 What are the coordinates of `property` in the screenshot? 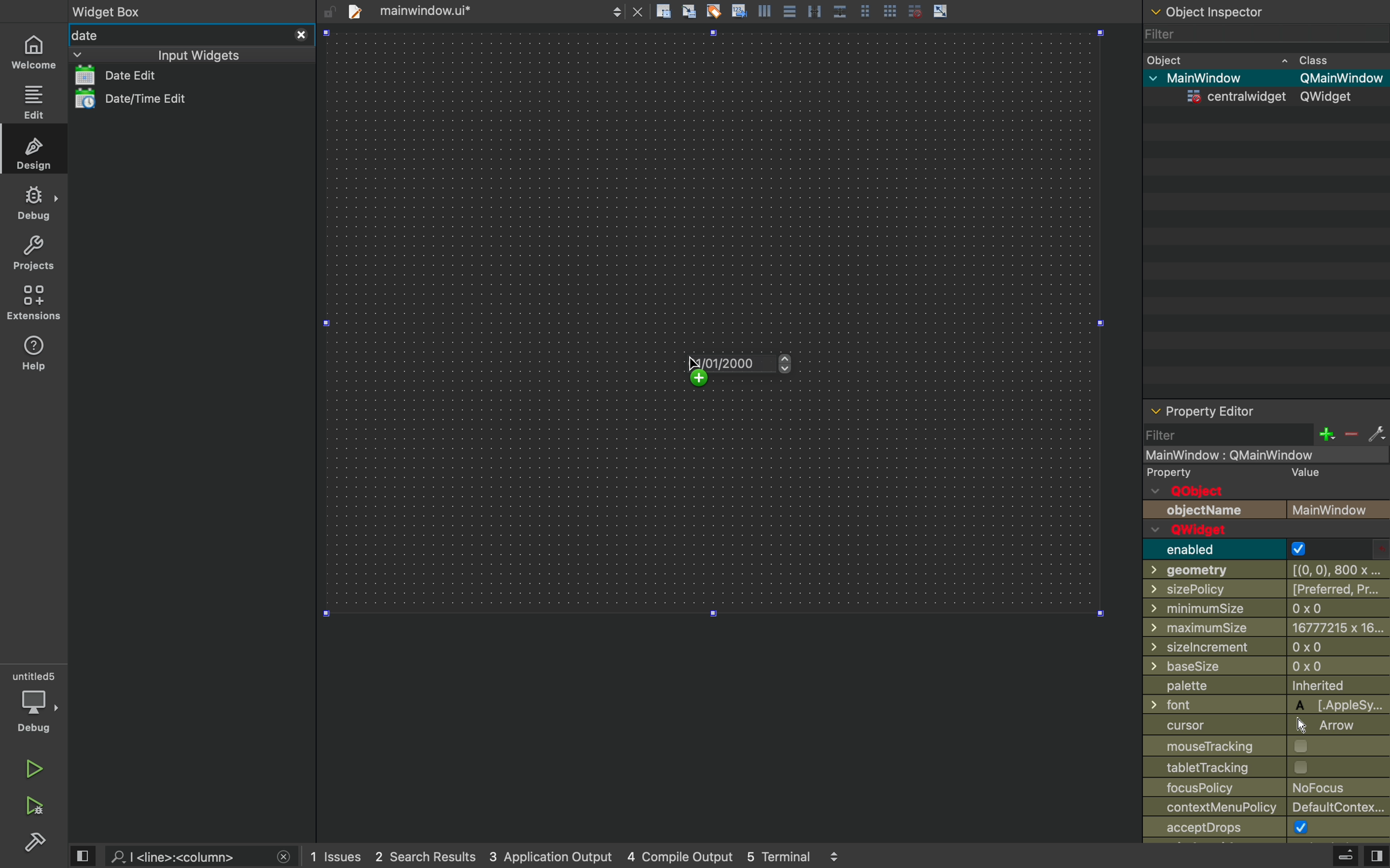 It's located at (1241, 472).